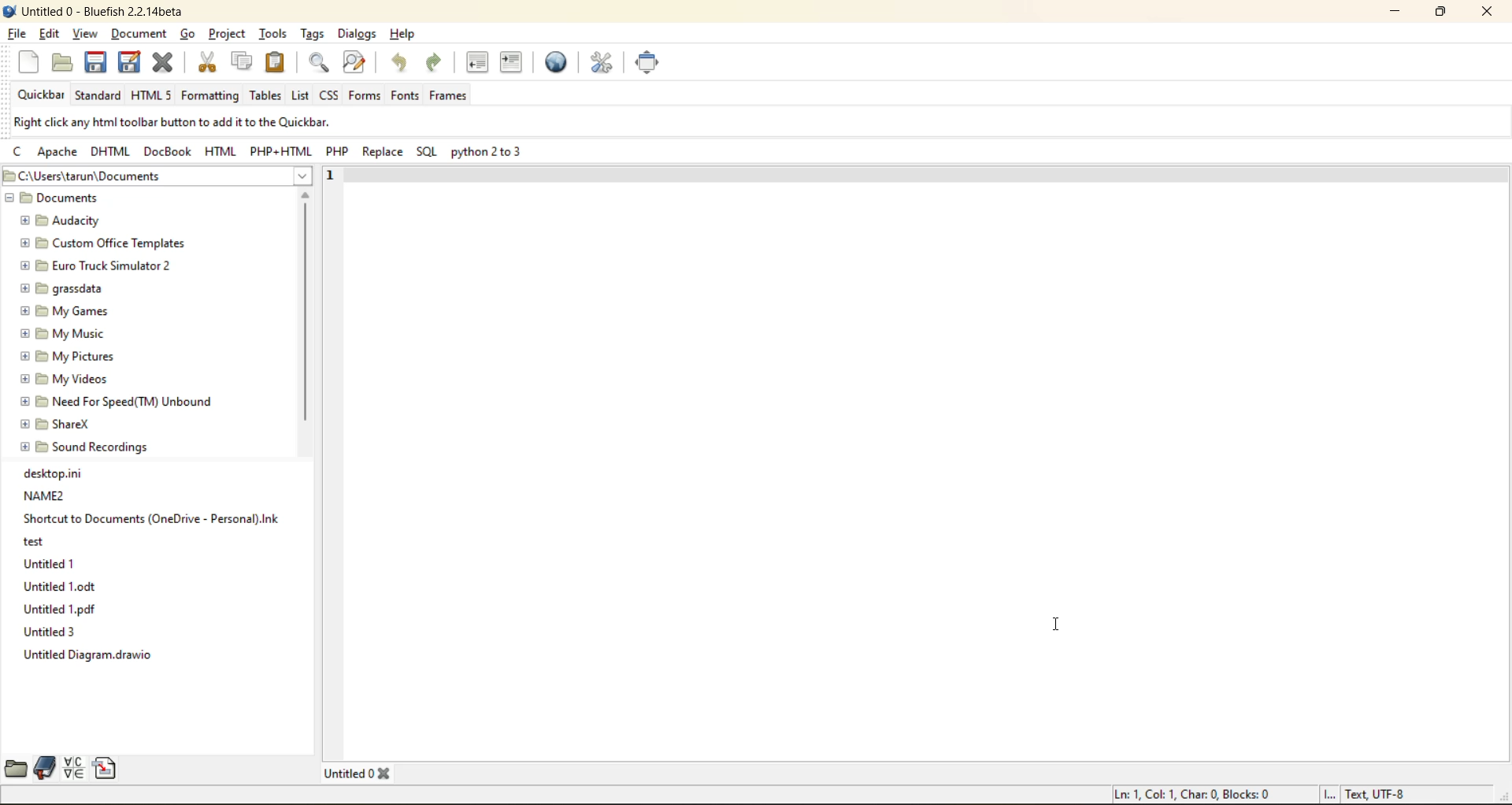  What do you see at coordinates (151, 518) in the screenshot?
I see `Shortcut to Documents (OneDrive - Personal).Ink` at bounding box center [151, 518].